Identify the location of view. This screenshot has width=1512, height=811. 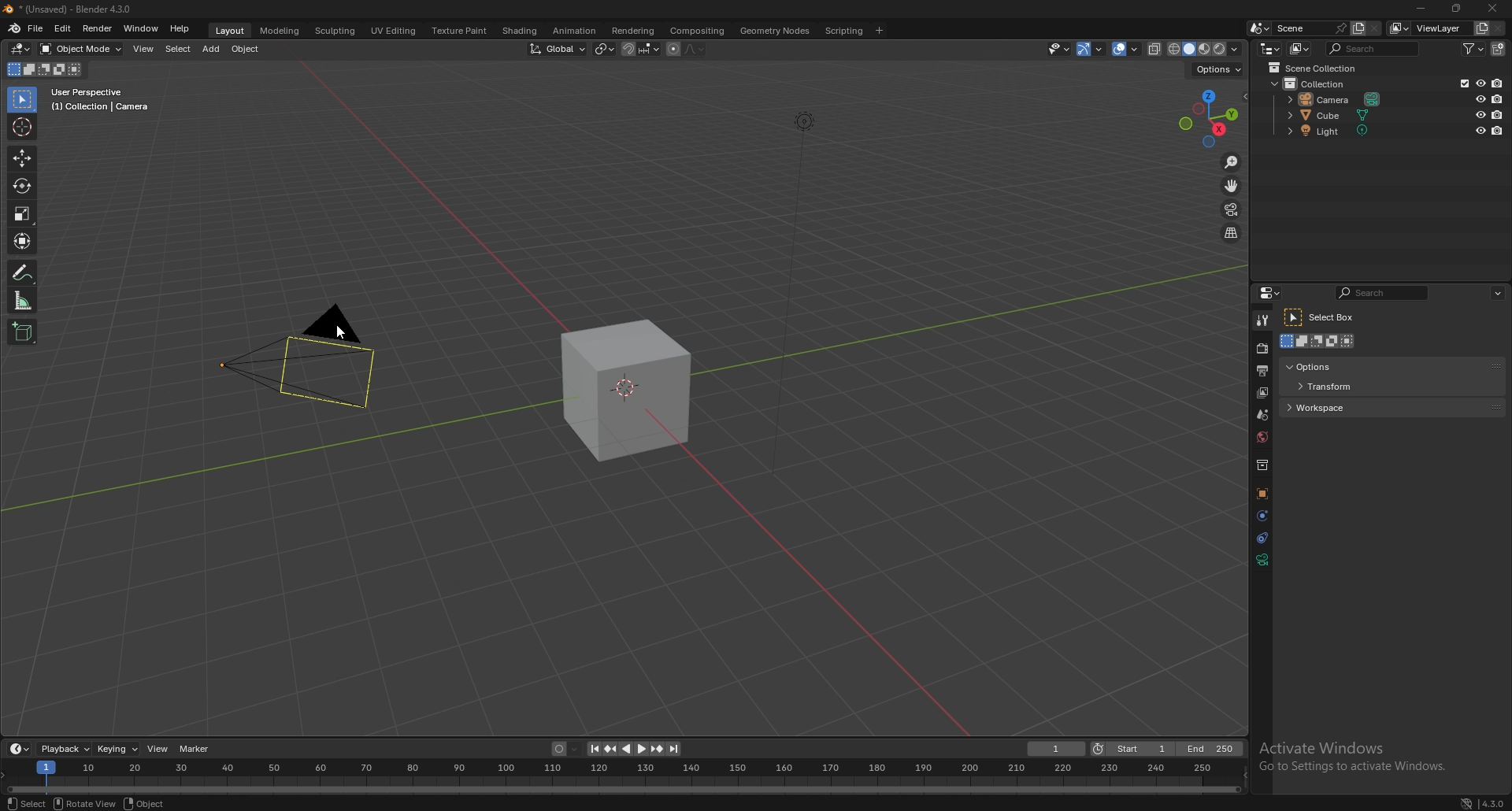
(143, 48).